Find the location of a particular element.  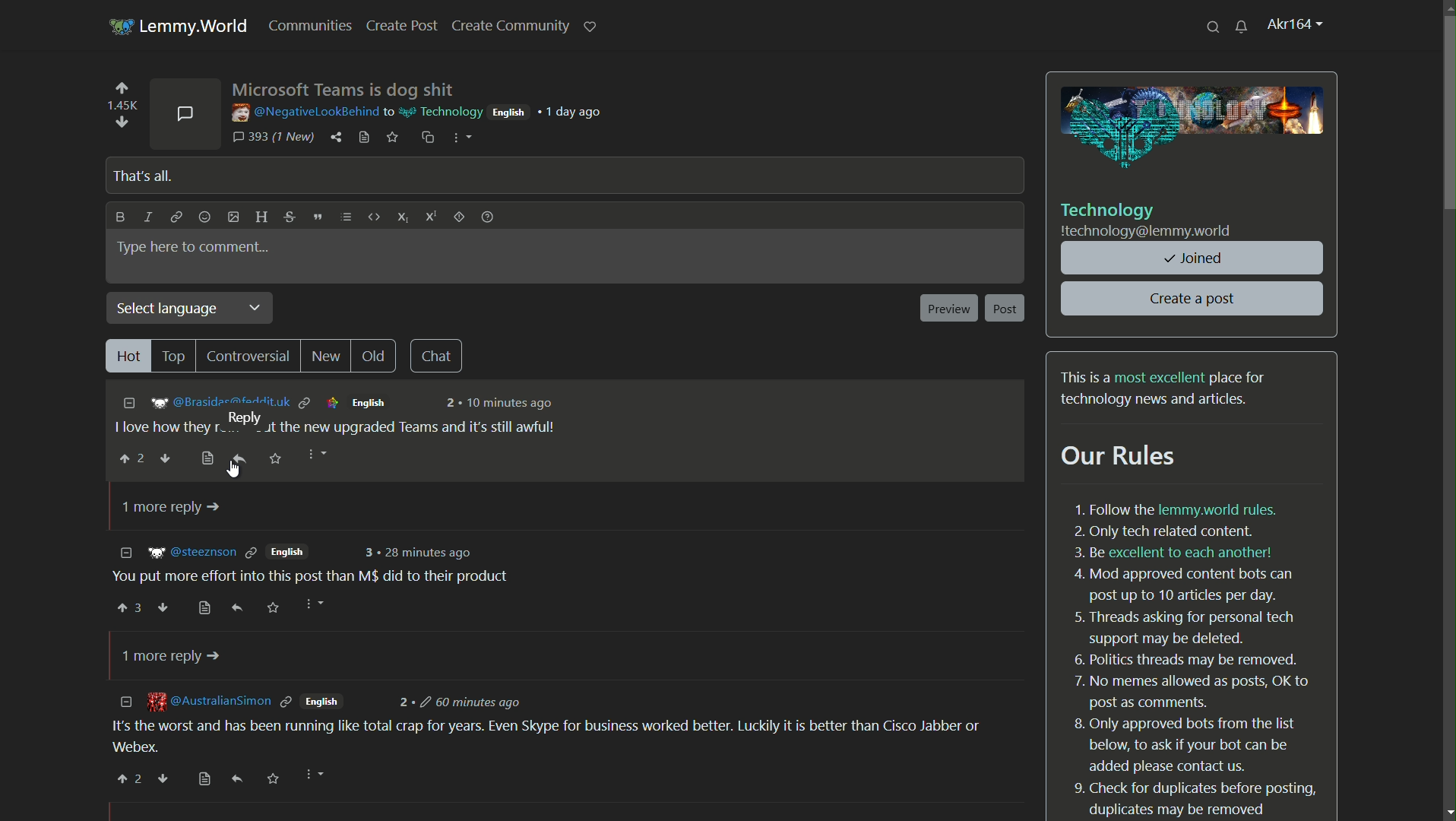

community name is located at coordinates (438, 110).